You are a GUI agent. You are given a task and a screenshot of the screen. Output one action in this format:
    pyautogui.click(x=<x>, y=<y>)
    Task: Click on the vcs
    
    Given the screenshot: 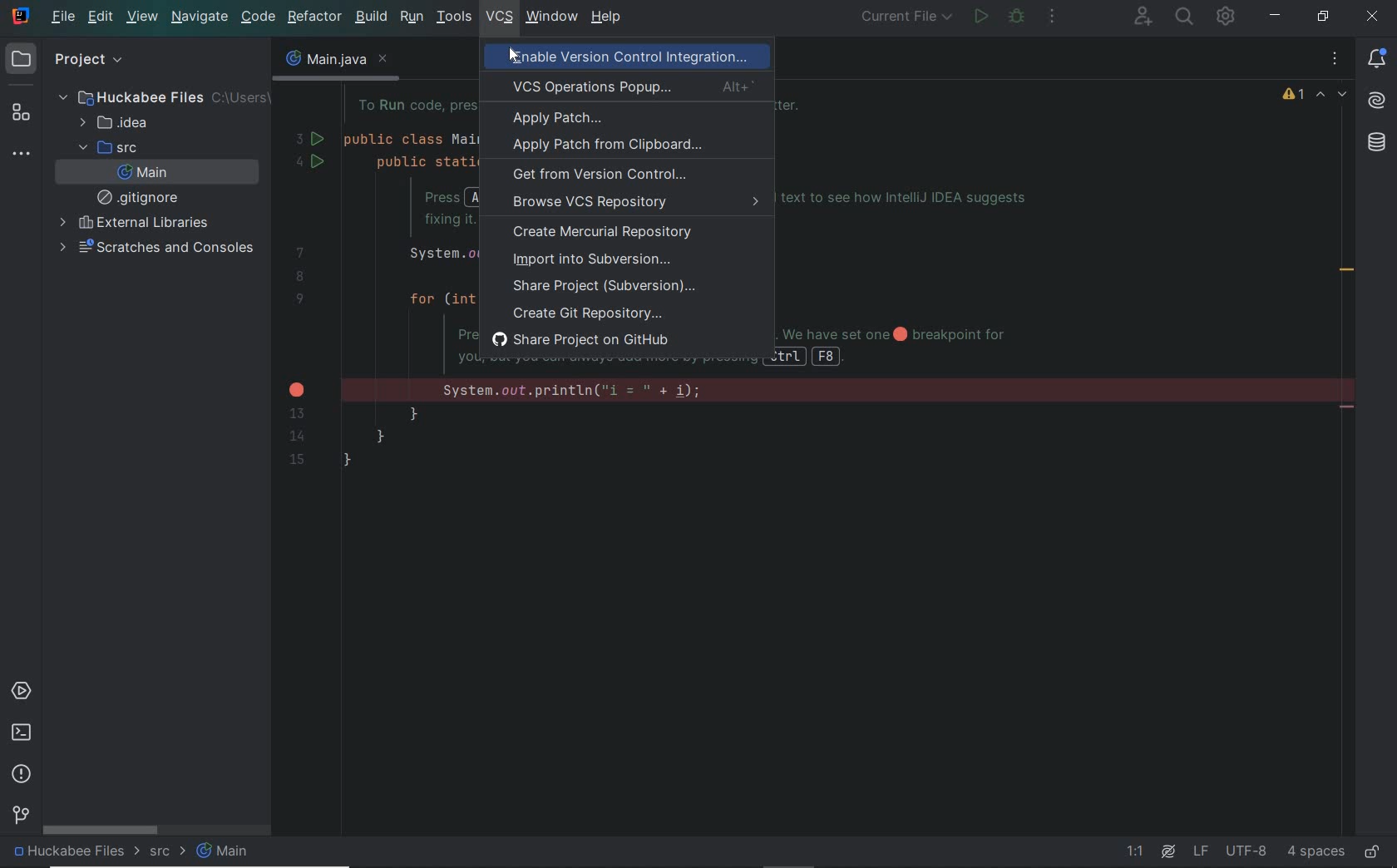 What is the action you would take?
    pyautogui.click(x=500, y=19)
    